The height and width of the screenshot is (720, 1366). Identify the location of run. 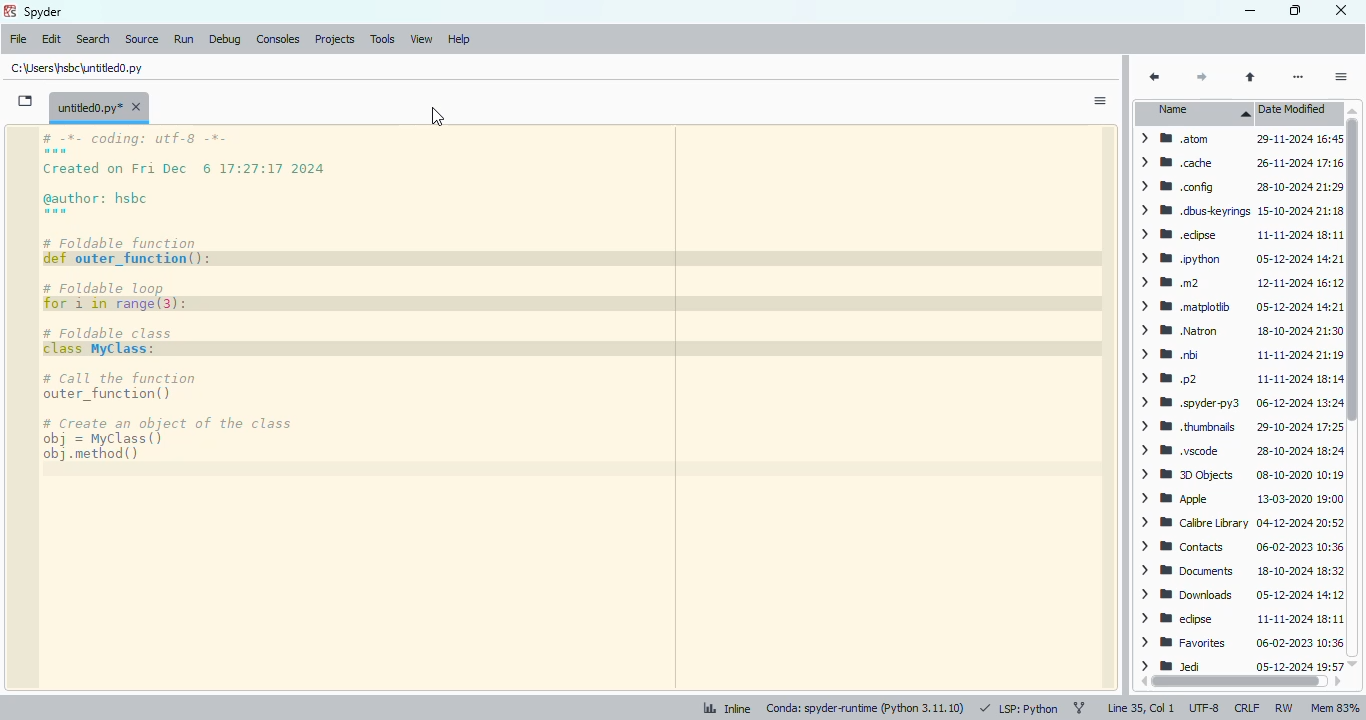
(183, 39).